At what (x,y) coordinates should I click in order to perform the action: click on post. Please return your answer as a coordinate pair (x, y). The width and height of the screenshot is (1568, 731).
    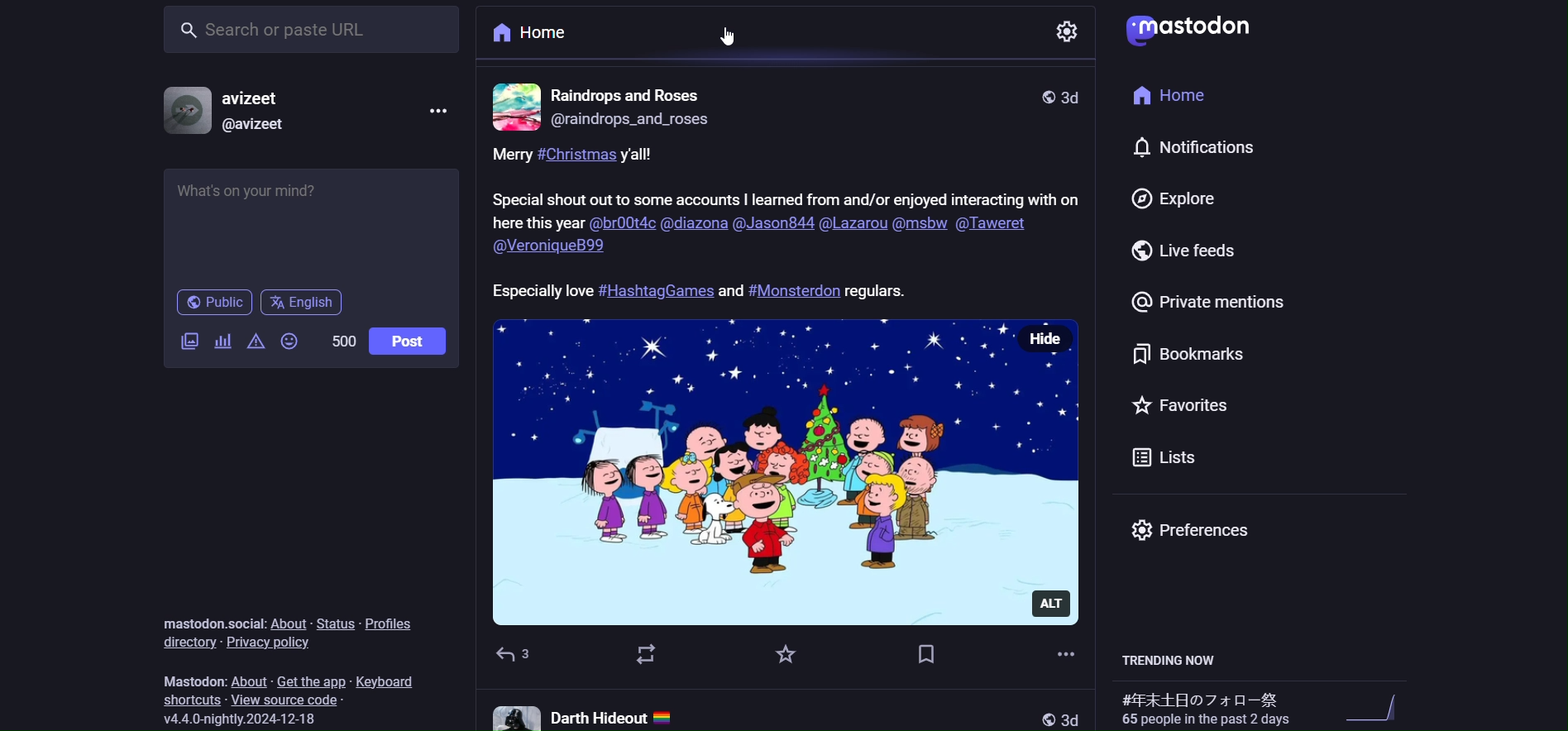
    Looking at the image, I should click on (414, 339).